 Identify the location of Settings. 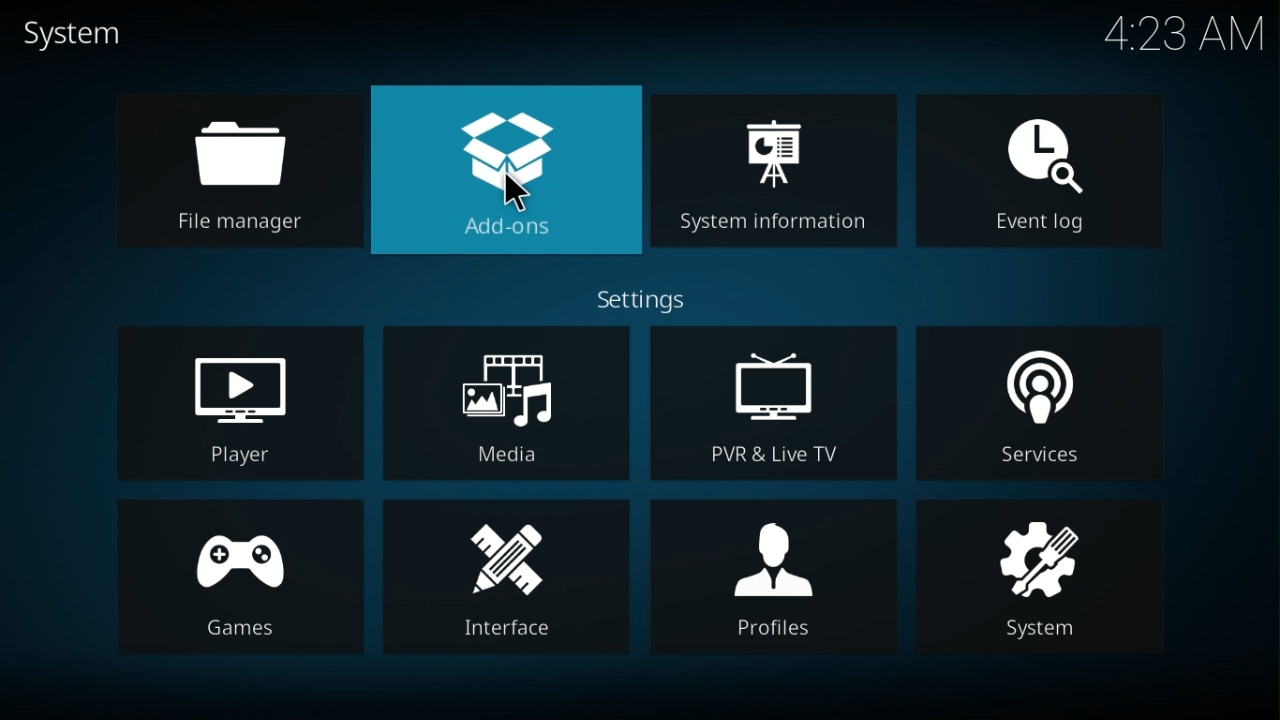
(647, 300).